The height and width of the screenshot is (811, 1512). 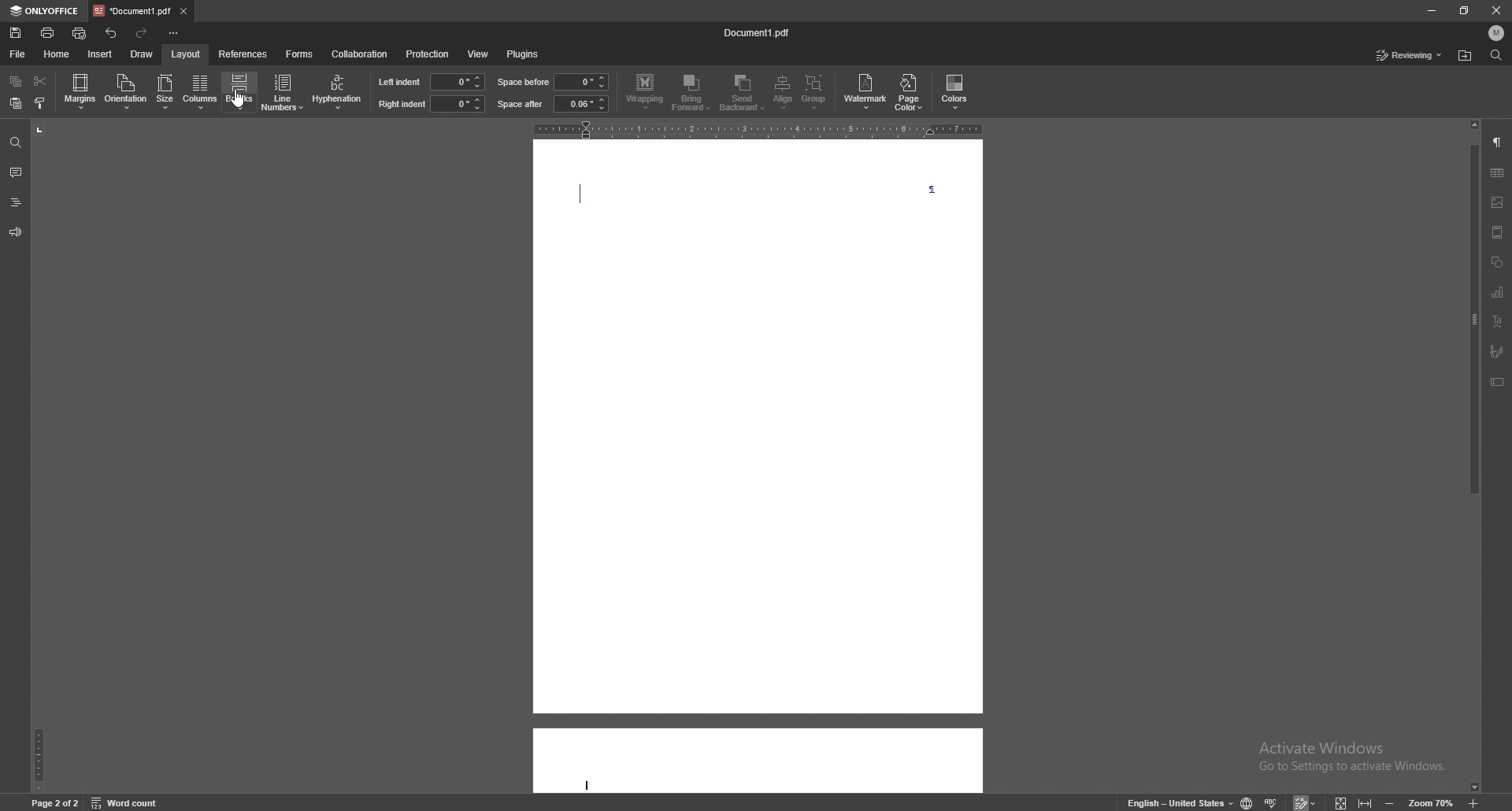 What do you see at coordinates (111, 33) in the screenshot?
I see `undo` at bounding box center [111, 33].